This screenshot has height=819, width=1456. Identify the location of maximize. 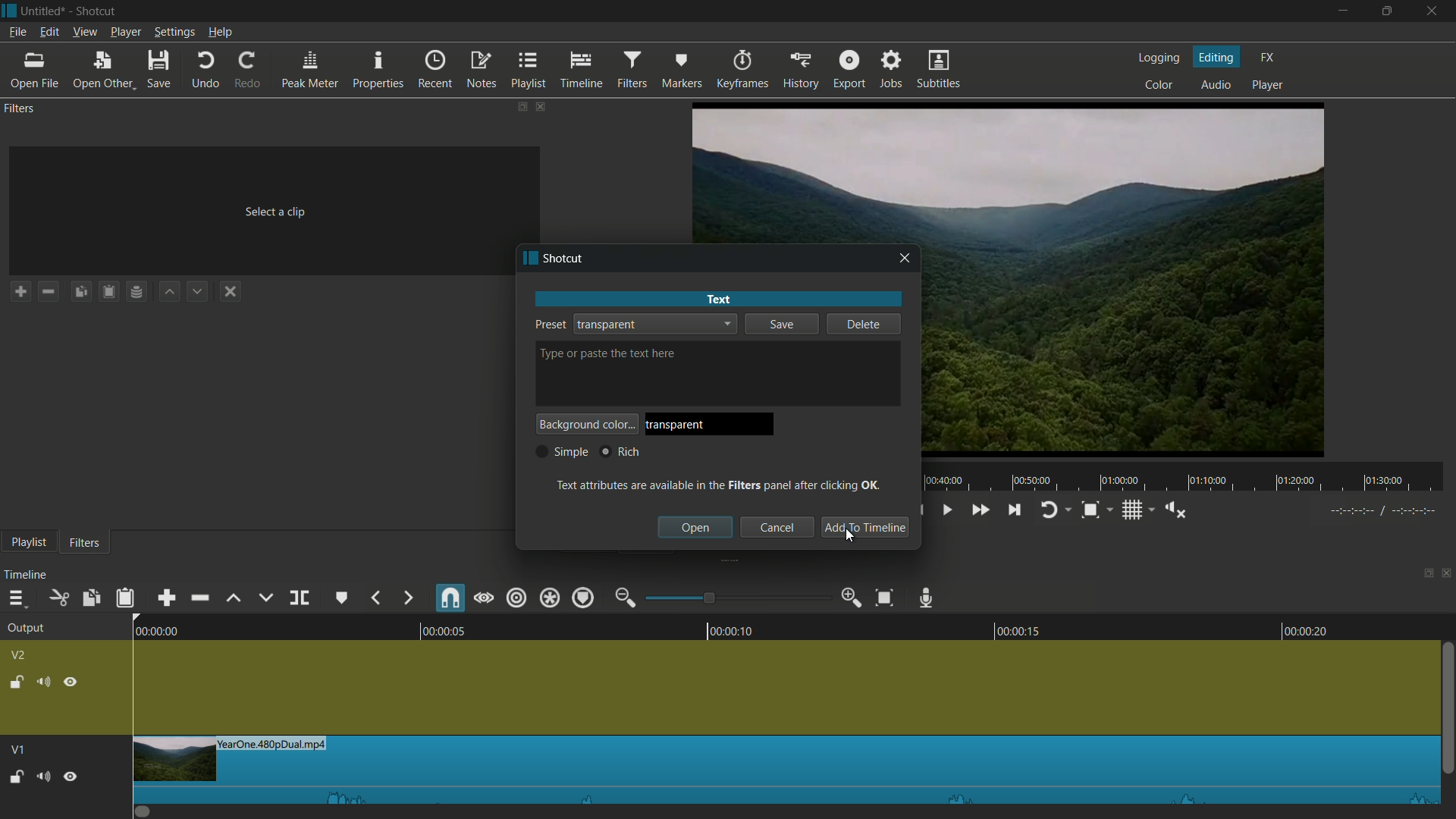
(1387, 11).